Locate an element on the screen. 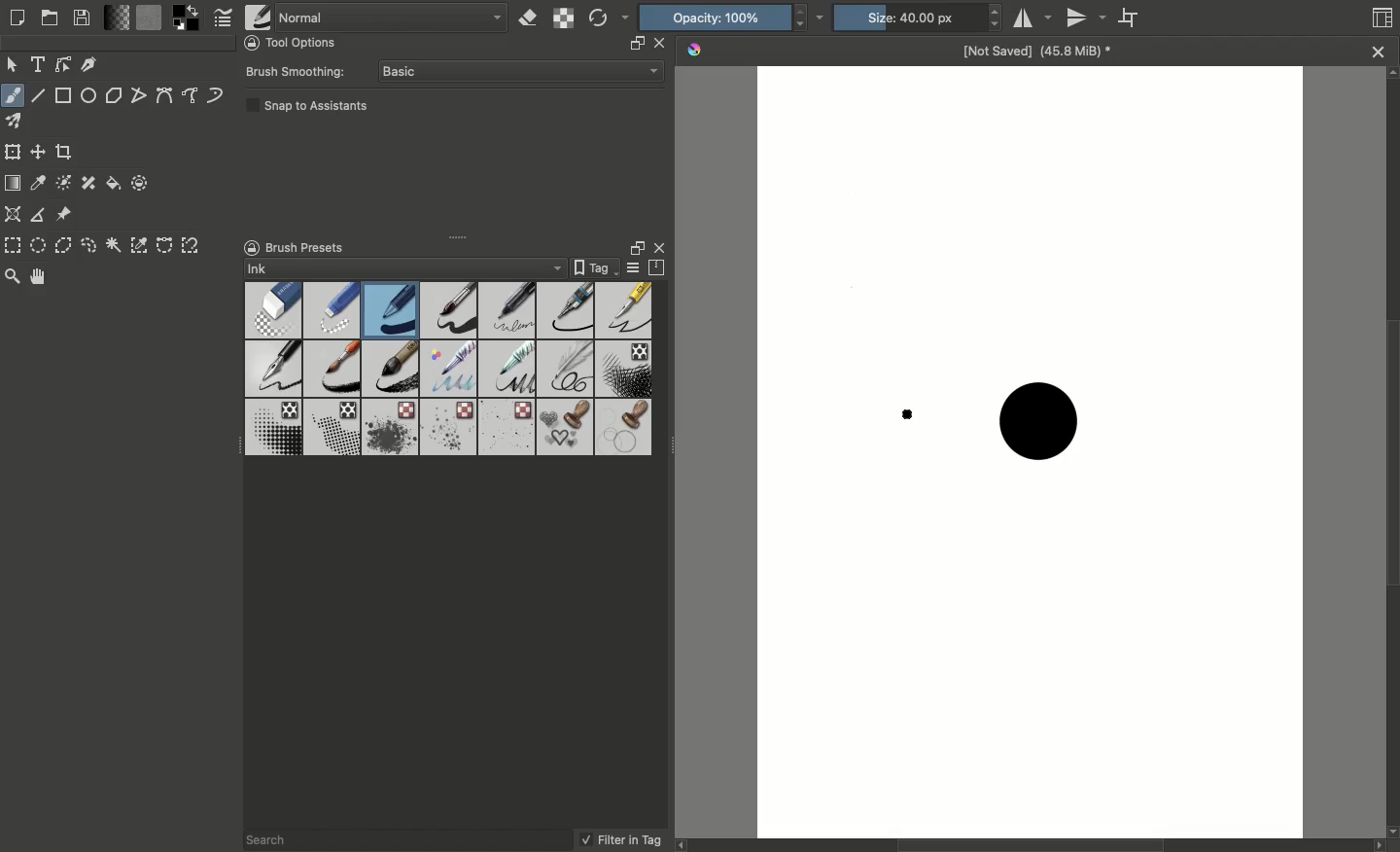  Scroll is located at coordinates (1036, 844).